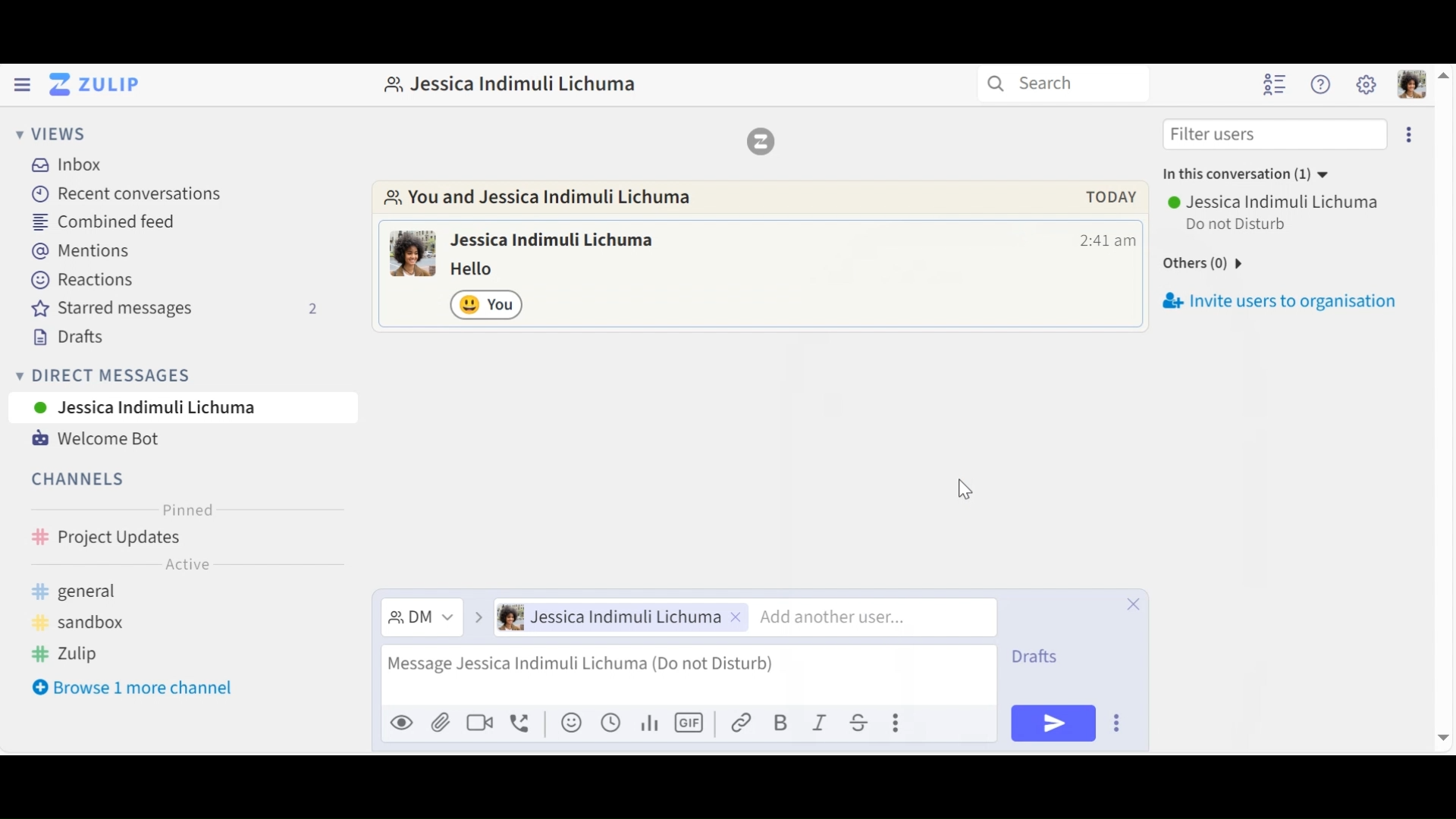 Image resolution: width=1456 pixels, height=819 pixels. I want to click on Preview, so click(403, 725).